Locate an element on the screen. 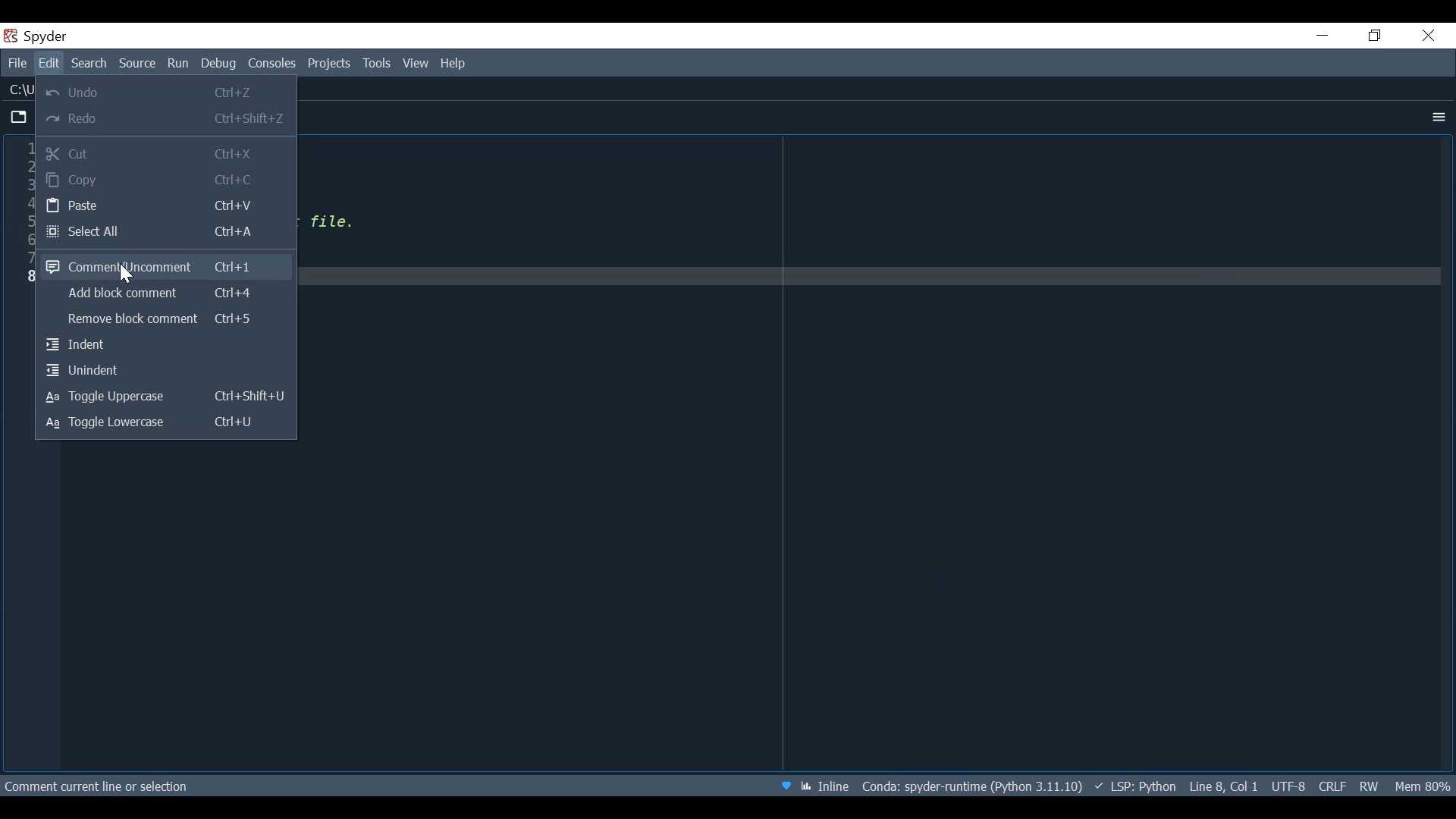  Memory Usage is located at coordinates (1423, 784).